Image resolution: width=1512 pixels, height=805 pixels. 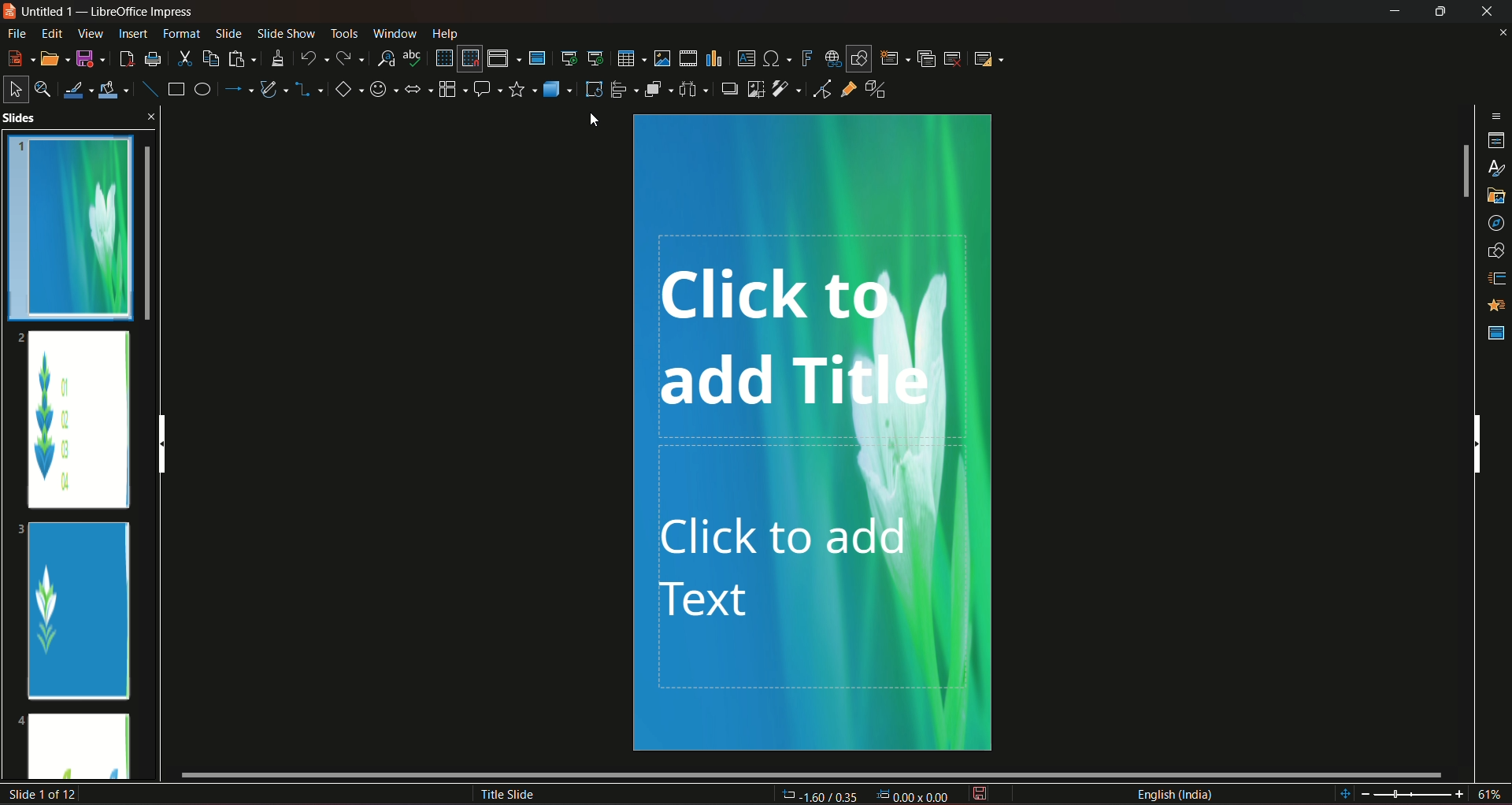 I want to click on block arrows, so click(x=419, y=90).